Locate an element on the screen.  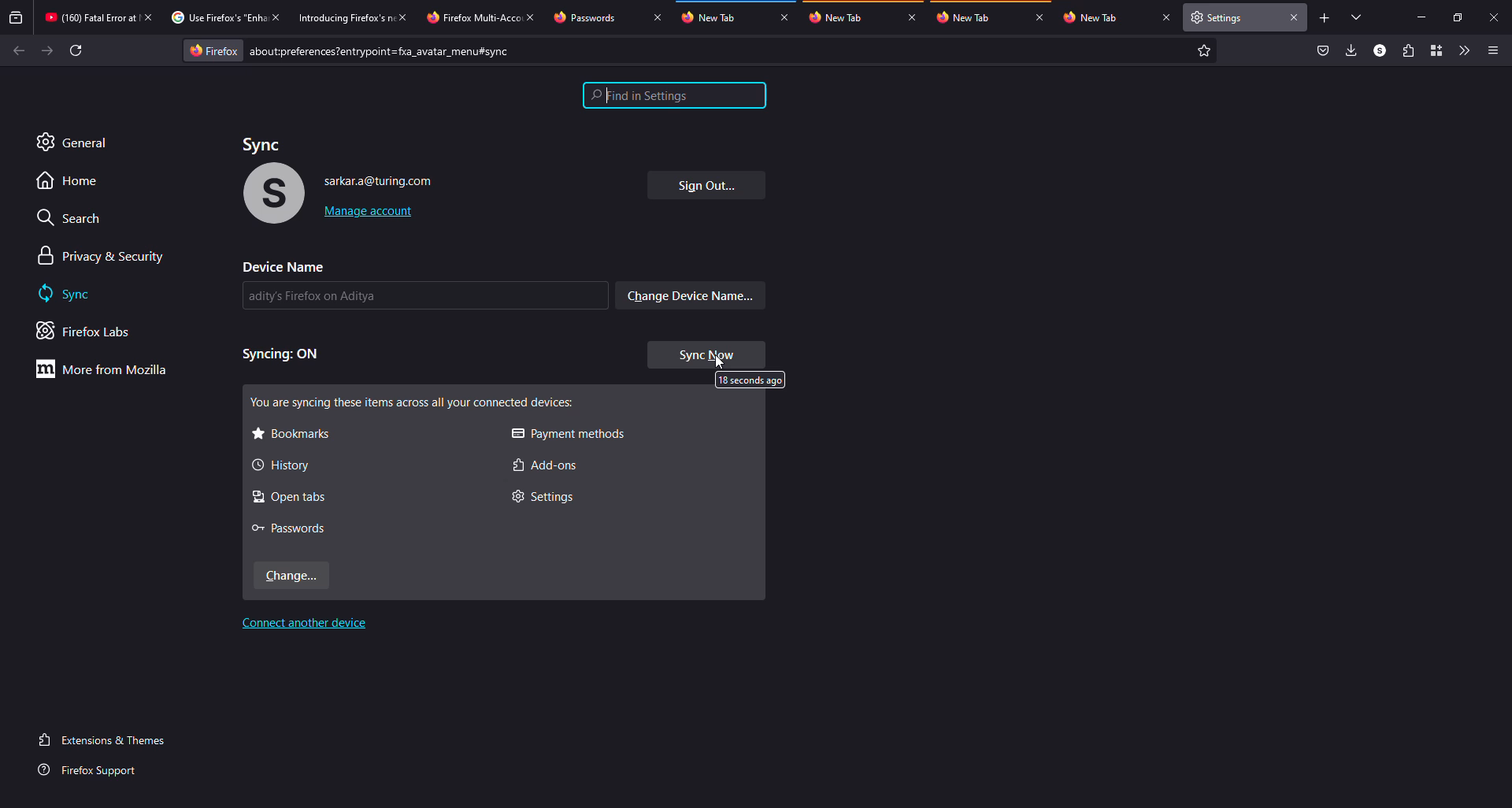
add-ons is located at coordinates (545, 465).